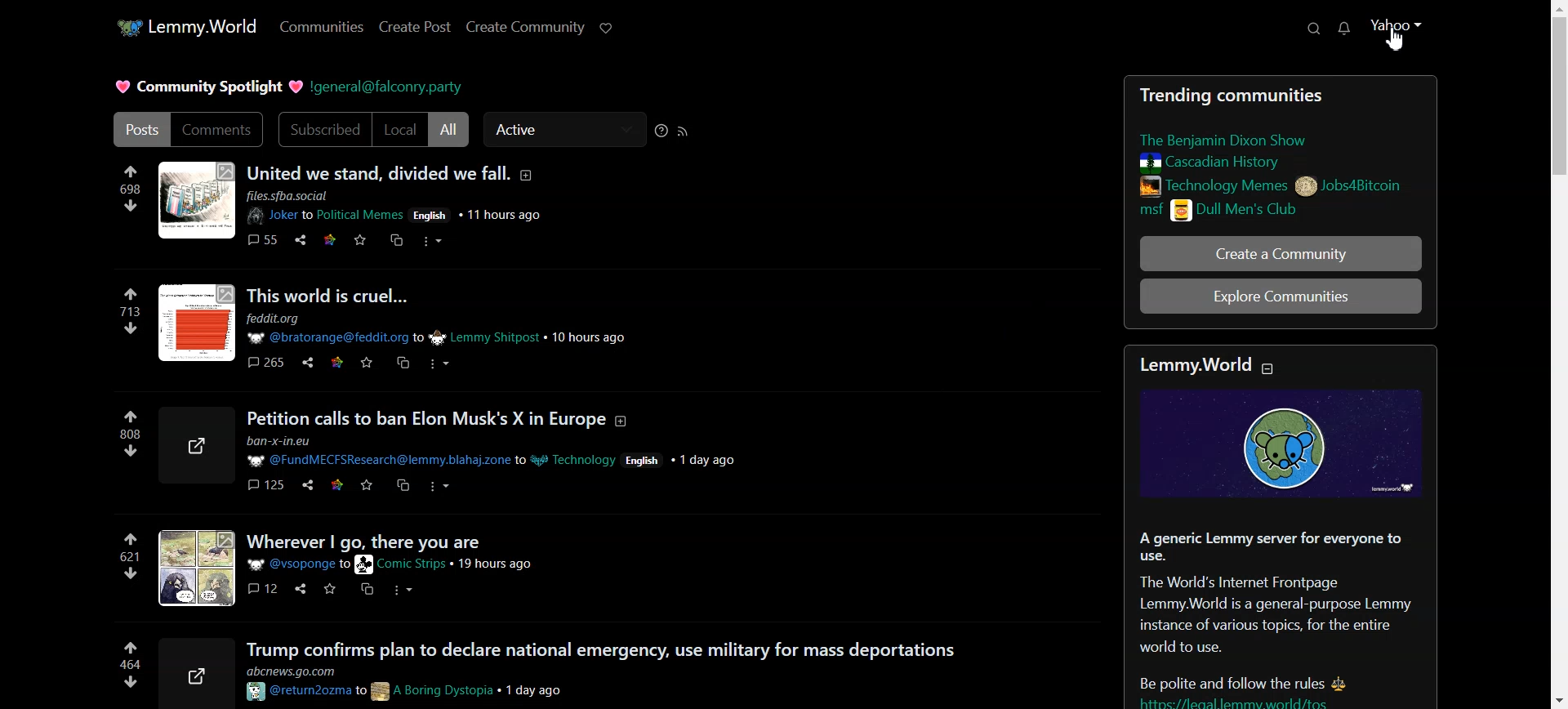  What do you see at coordinates (139, 129) in the screenshot?
I see `Posts` at bounding box center [139, 129].